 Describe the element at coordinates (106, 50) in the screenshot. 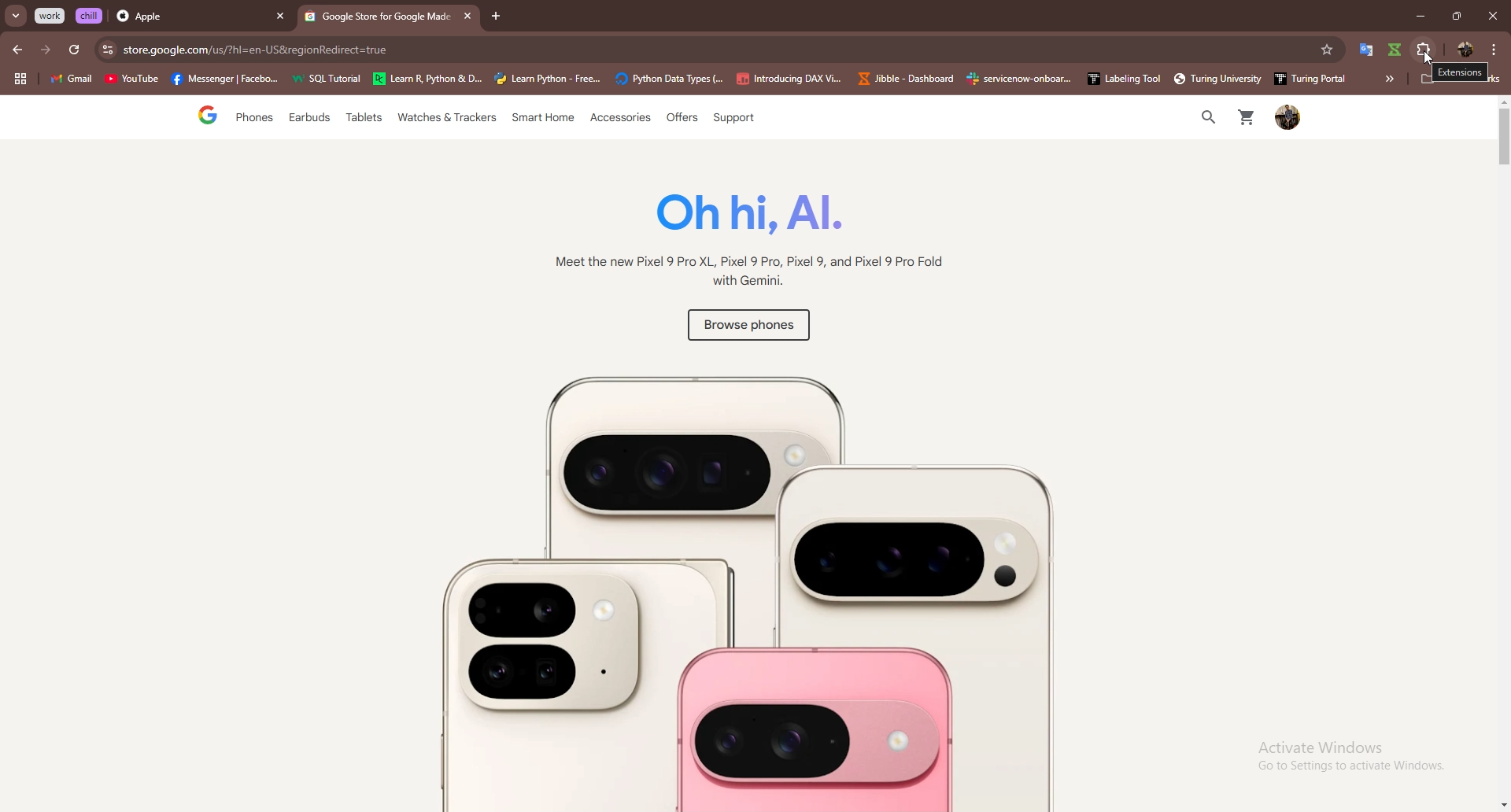

I see `site settings` at that location.